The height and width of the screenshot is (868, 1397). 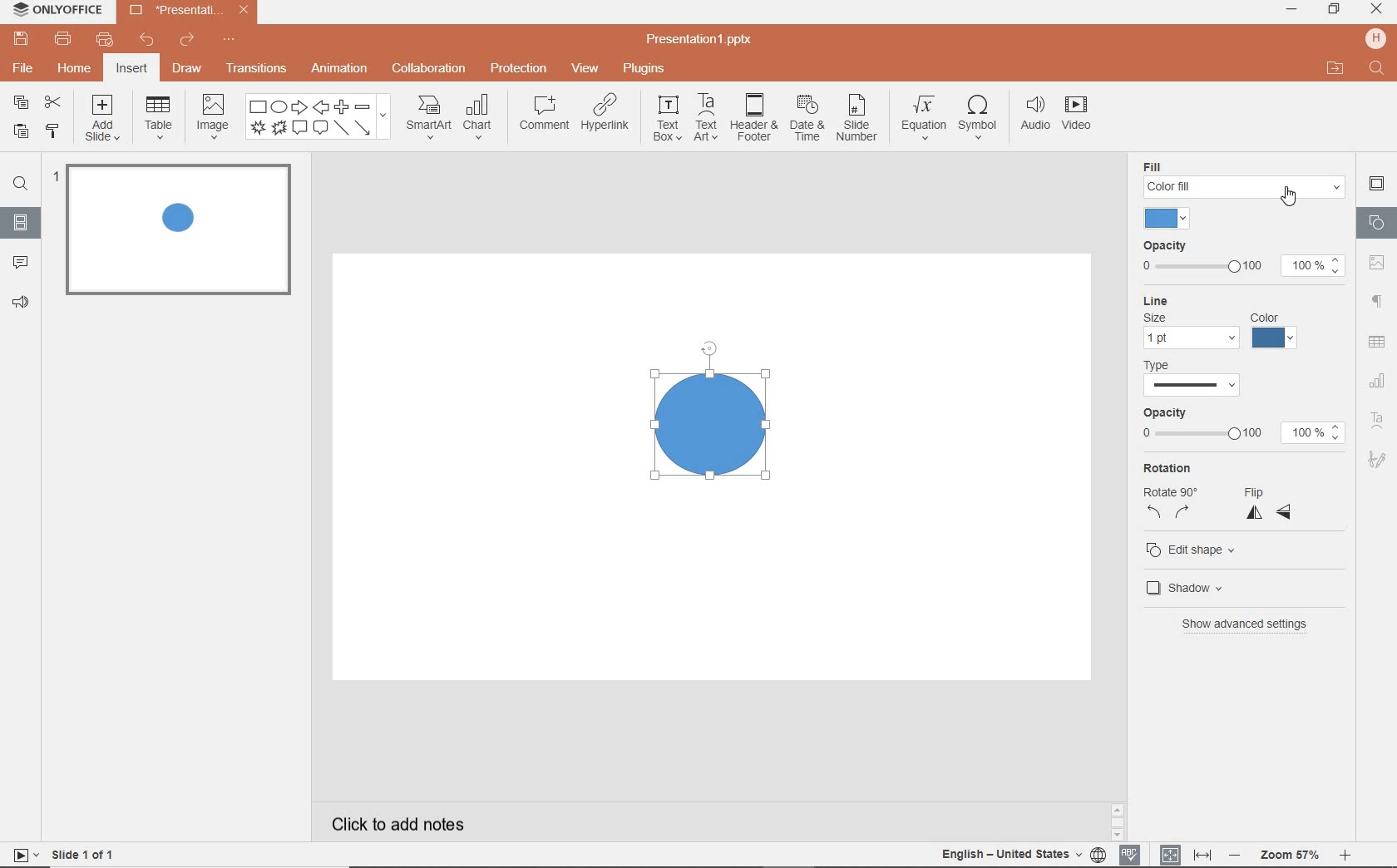 I want to click on quick print, so click(x=108, y=38).